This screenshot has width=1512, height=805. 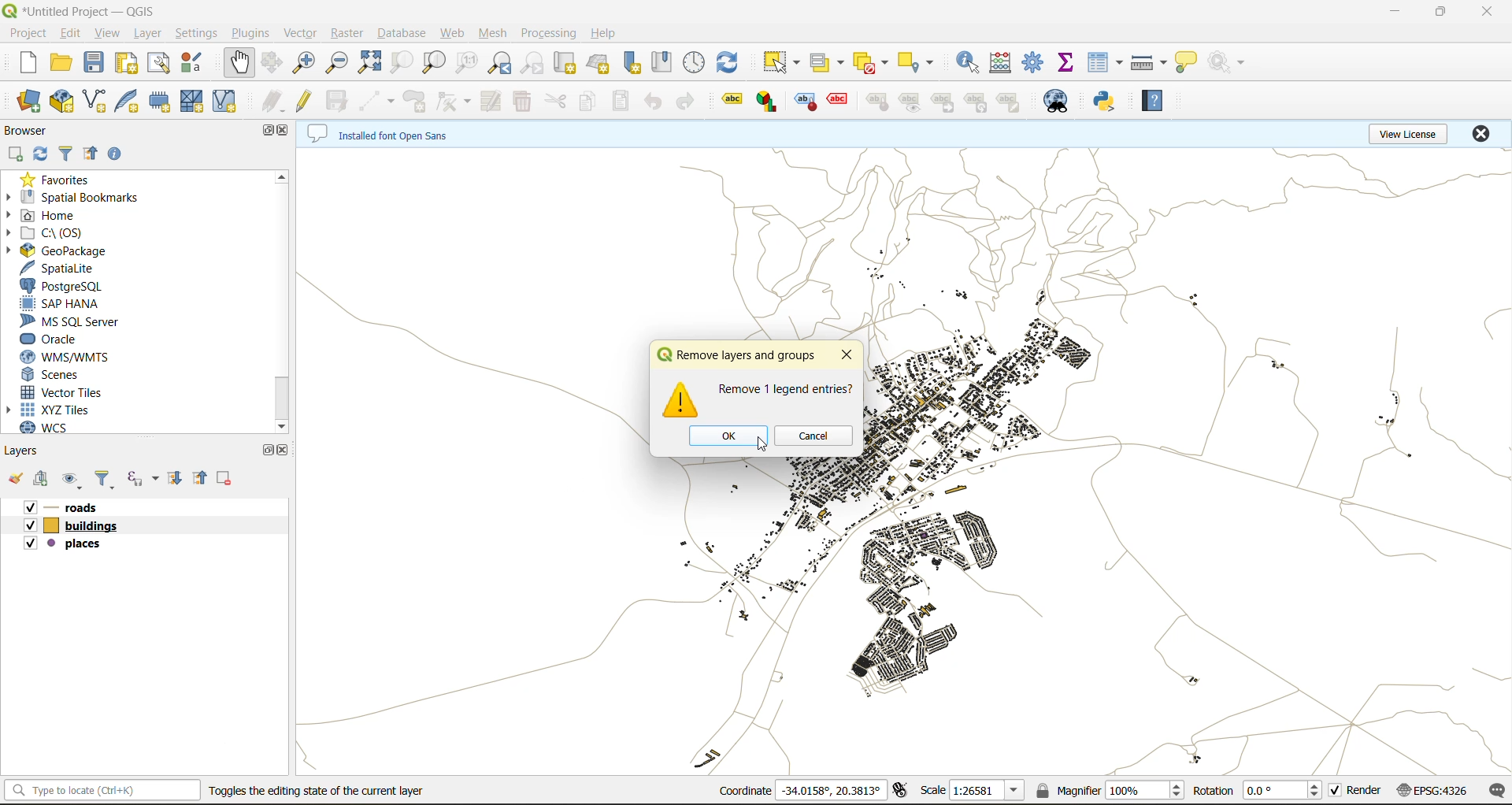 What do you see at coordinates (128, 65) in the screenshot?
I see `print layout` at bounding box center [128, 65].